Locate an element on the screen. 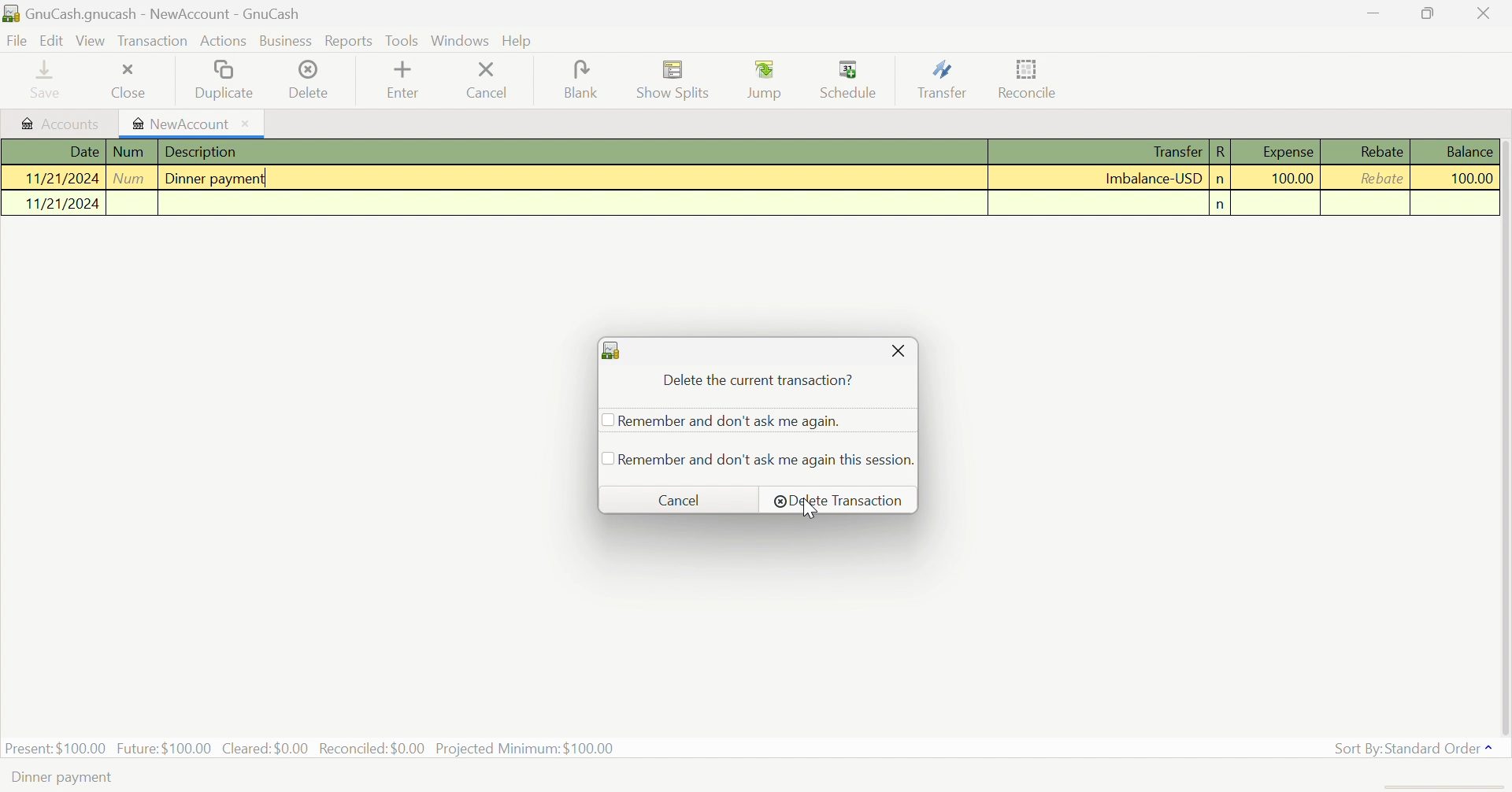  Transfer is located at coordinates (943, 78).